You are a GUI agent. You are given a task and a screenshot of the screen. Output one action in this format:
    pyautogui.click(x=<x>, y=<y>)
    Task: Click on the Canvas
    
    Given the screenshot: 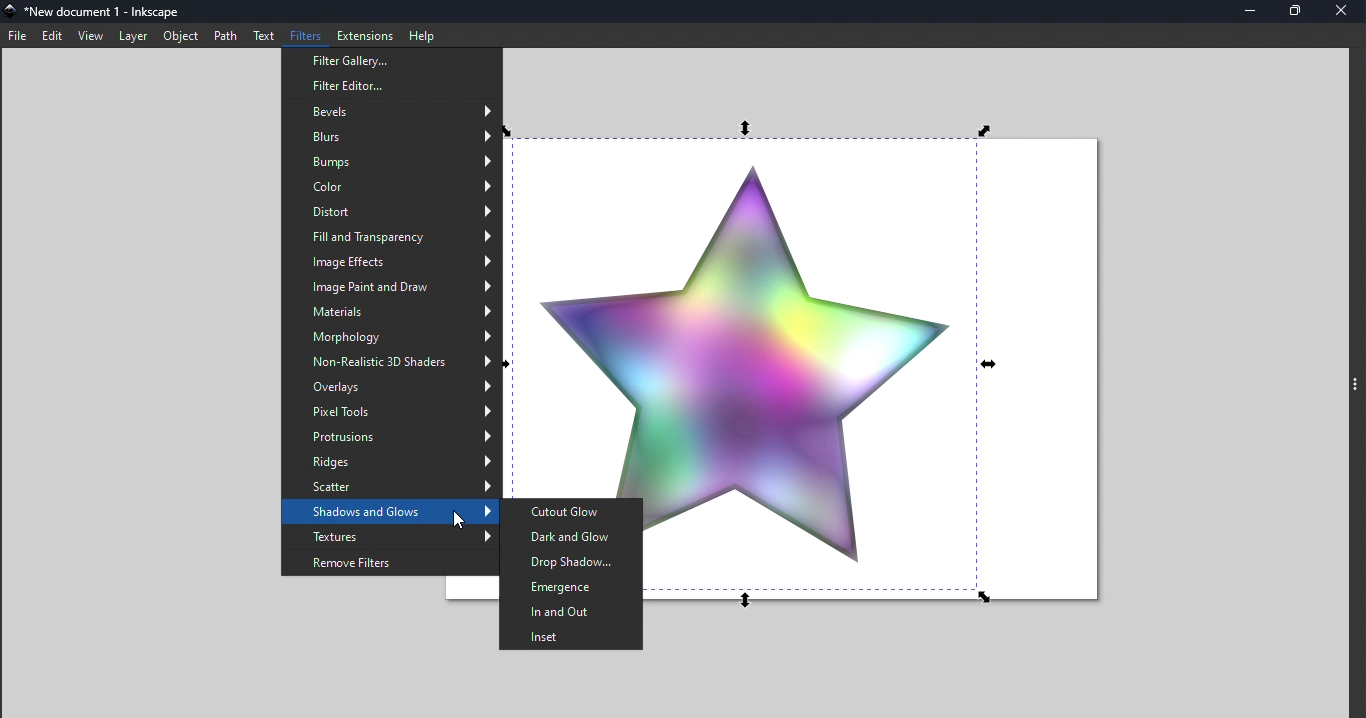 What is the action you would take?
    pyautogui.click(x=883, y=367)
    